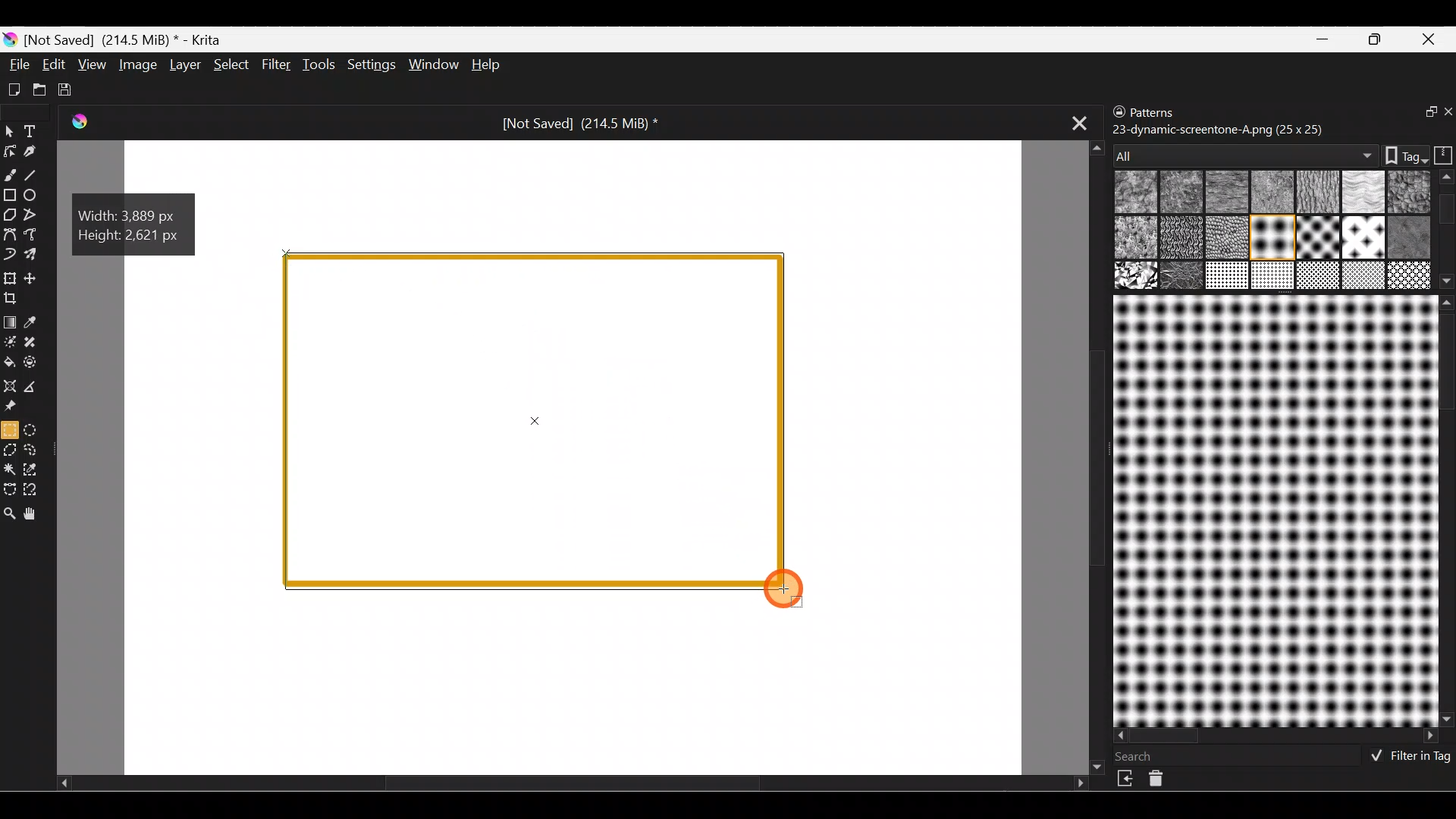 Image resolution: width=1456 pixels, height=819 pixels. Describe the element at coordinates (9, 341) in the screenshot. I see `Colourise mask tool` at that location.